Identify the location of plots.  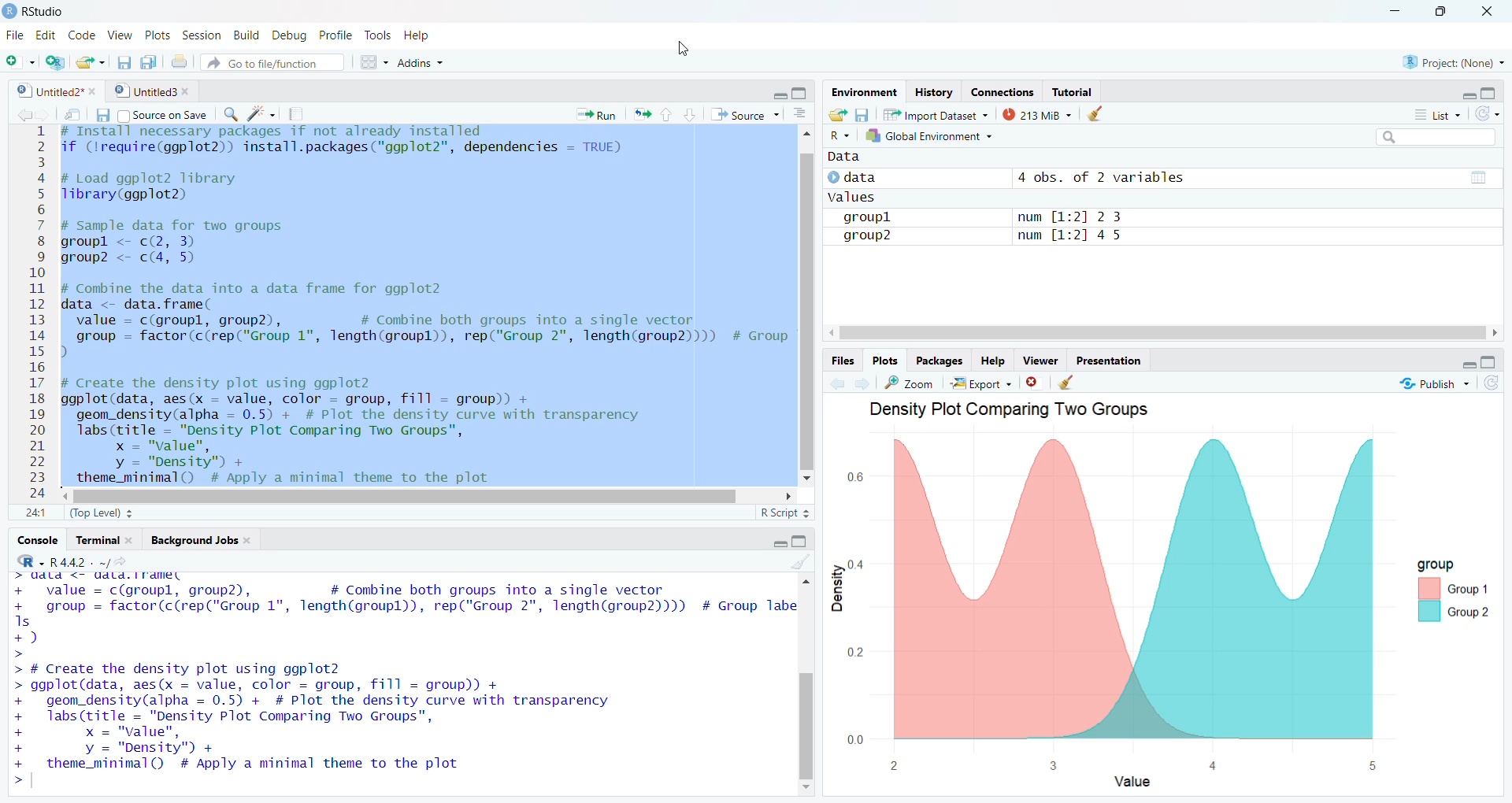
(884, 359).